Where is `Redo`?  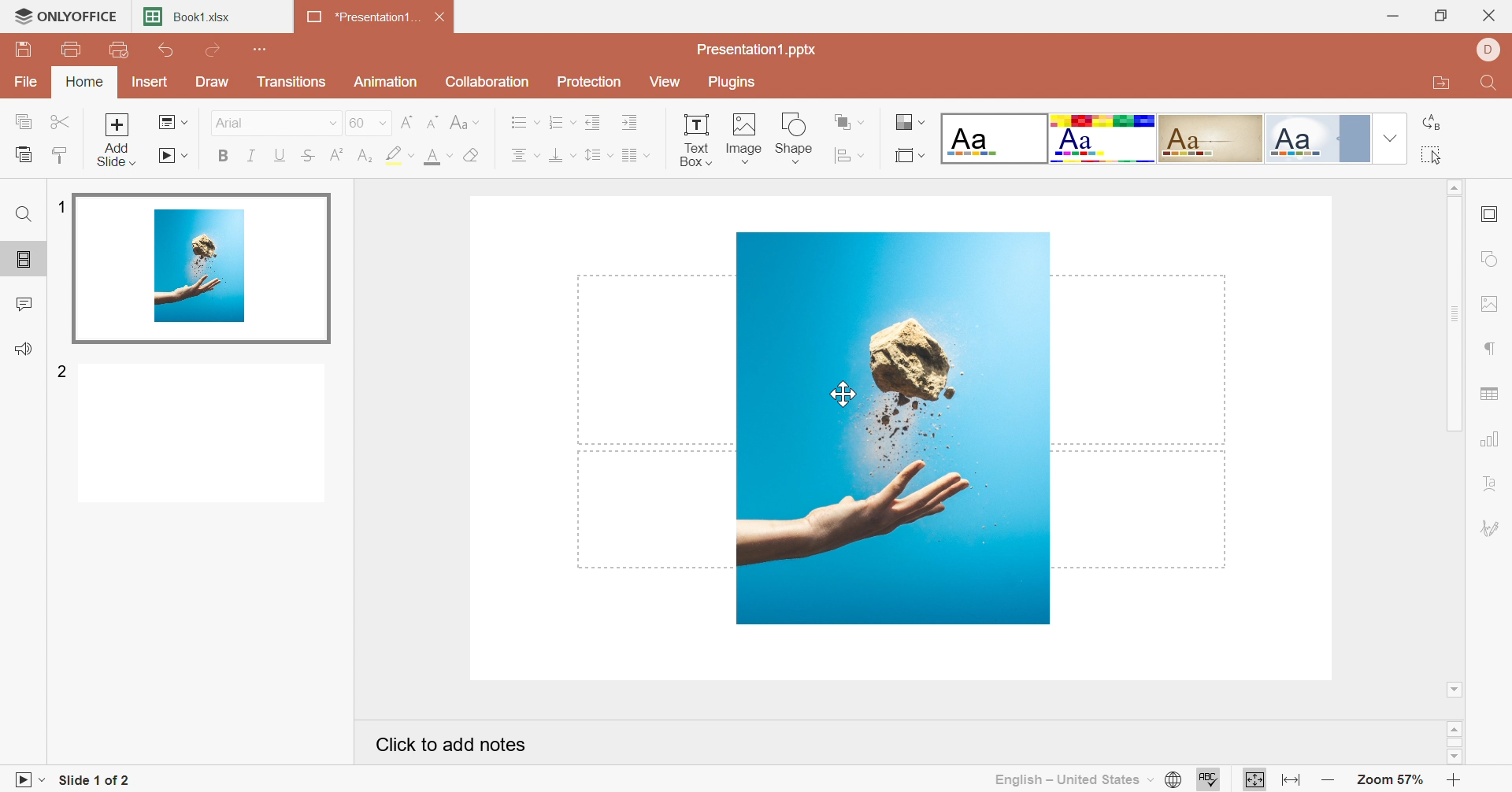
Redo is located at coordinates (213, 50).